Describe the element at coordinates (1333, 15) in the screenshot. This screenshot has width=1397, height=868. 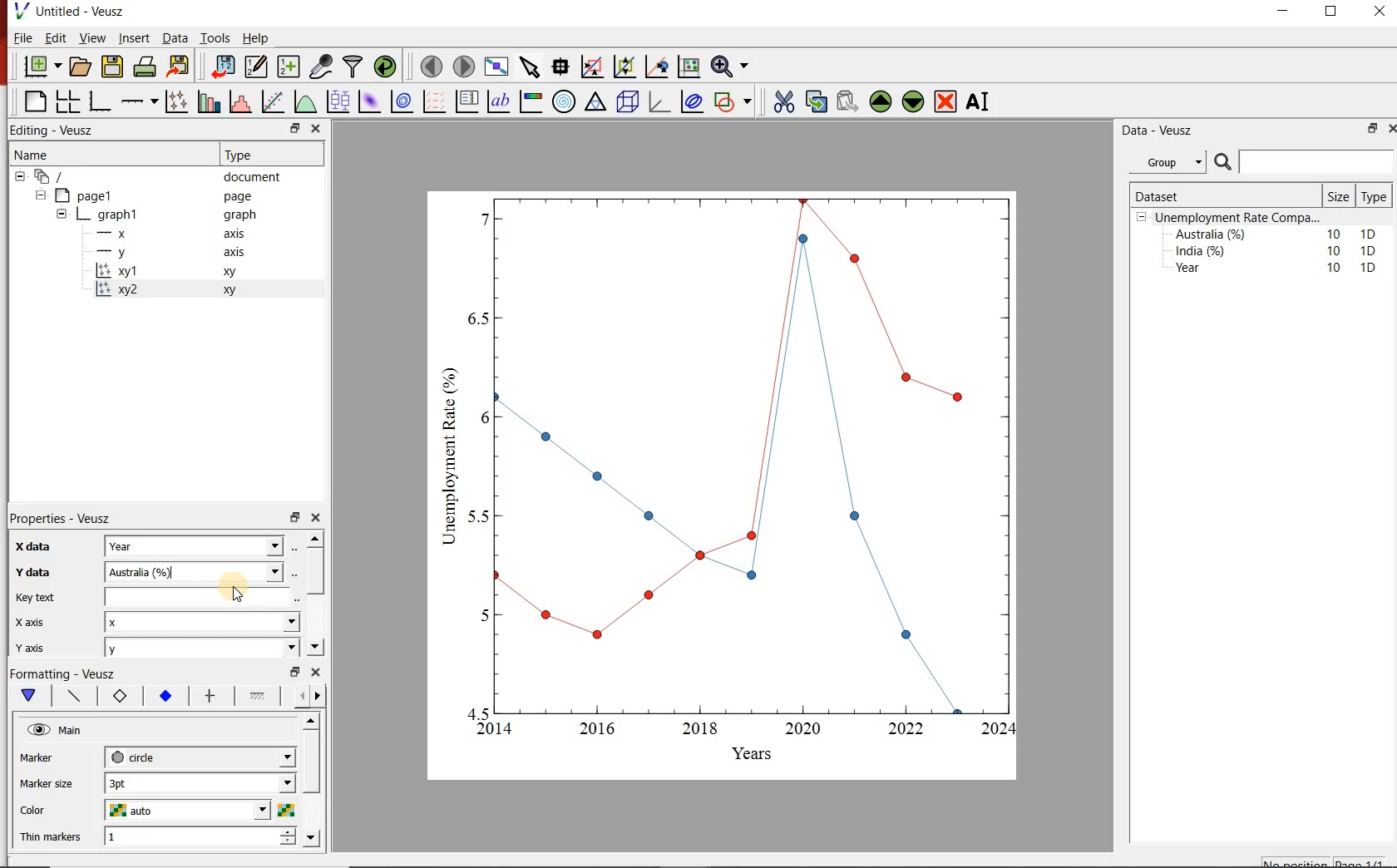
I see `maximise` at that location.